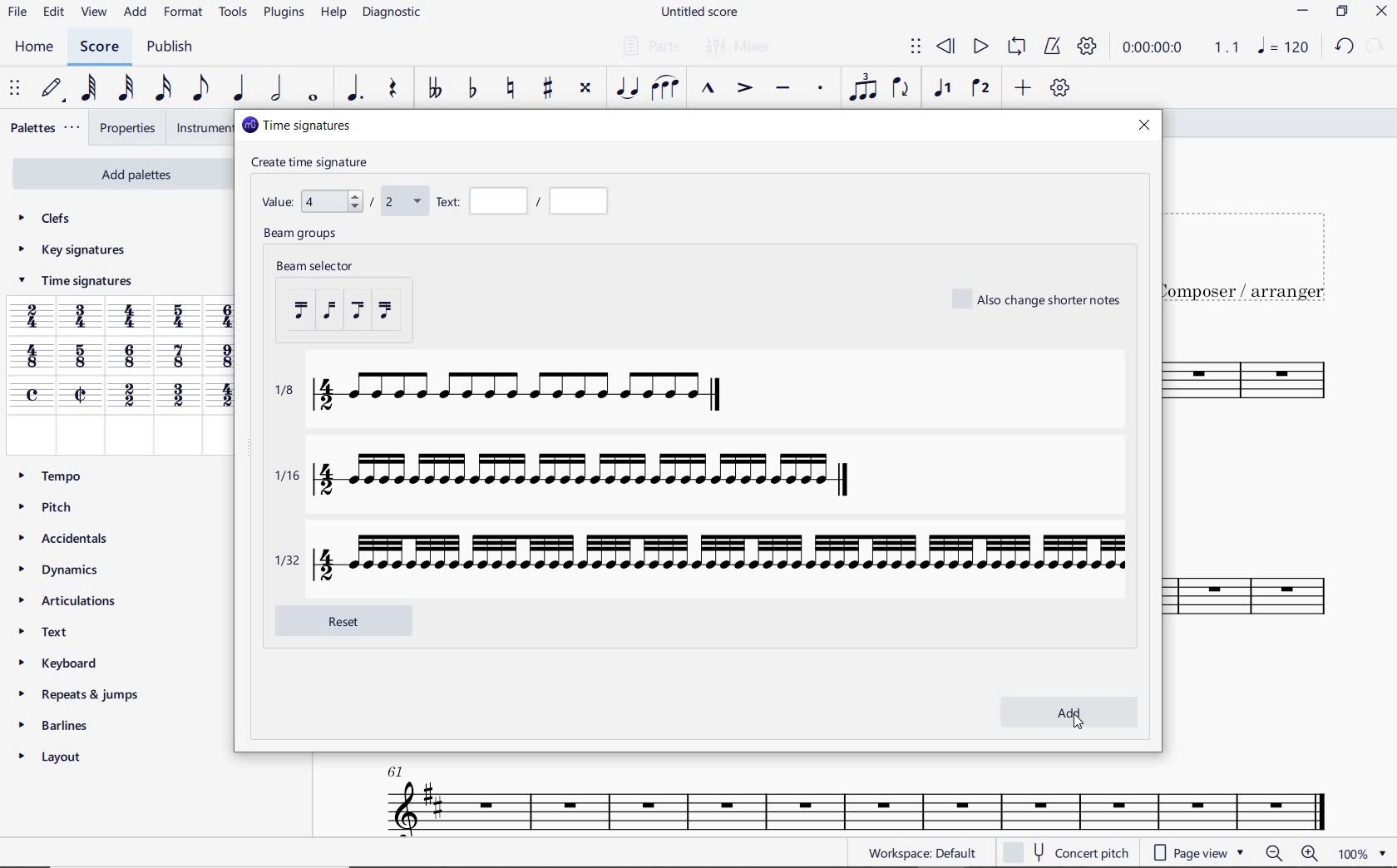 The height and width of the screenshot is (868, 1397). I want to click on SCORE, so click(99, 47).